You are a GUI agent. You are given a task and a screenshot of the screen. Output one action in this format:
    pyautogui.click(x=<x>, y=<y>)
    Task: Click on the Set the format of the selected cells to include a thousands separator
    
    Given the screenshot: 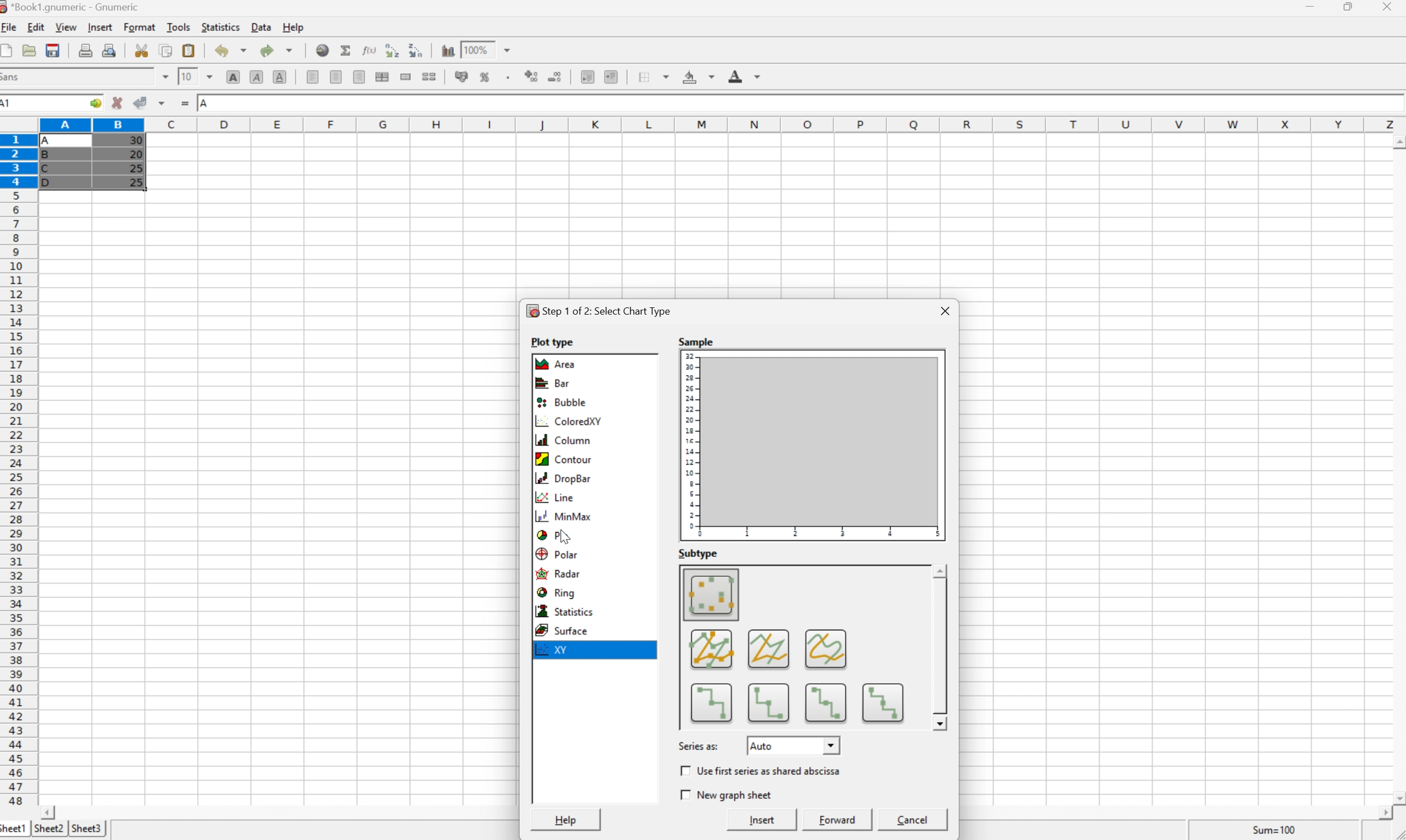 What is the action you would take?
    pyautogui.click(x=507, y=78)
    